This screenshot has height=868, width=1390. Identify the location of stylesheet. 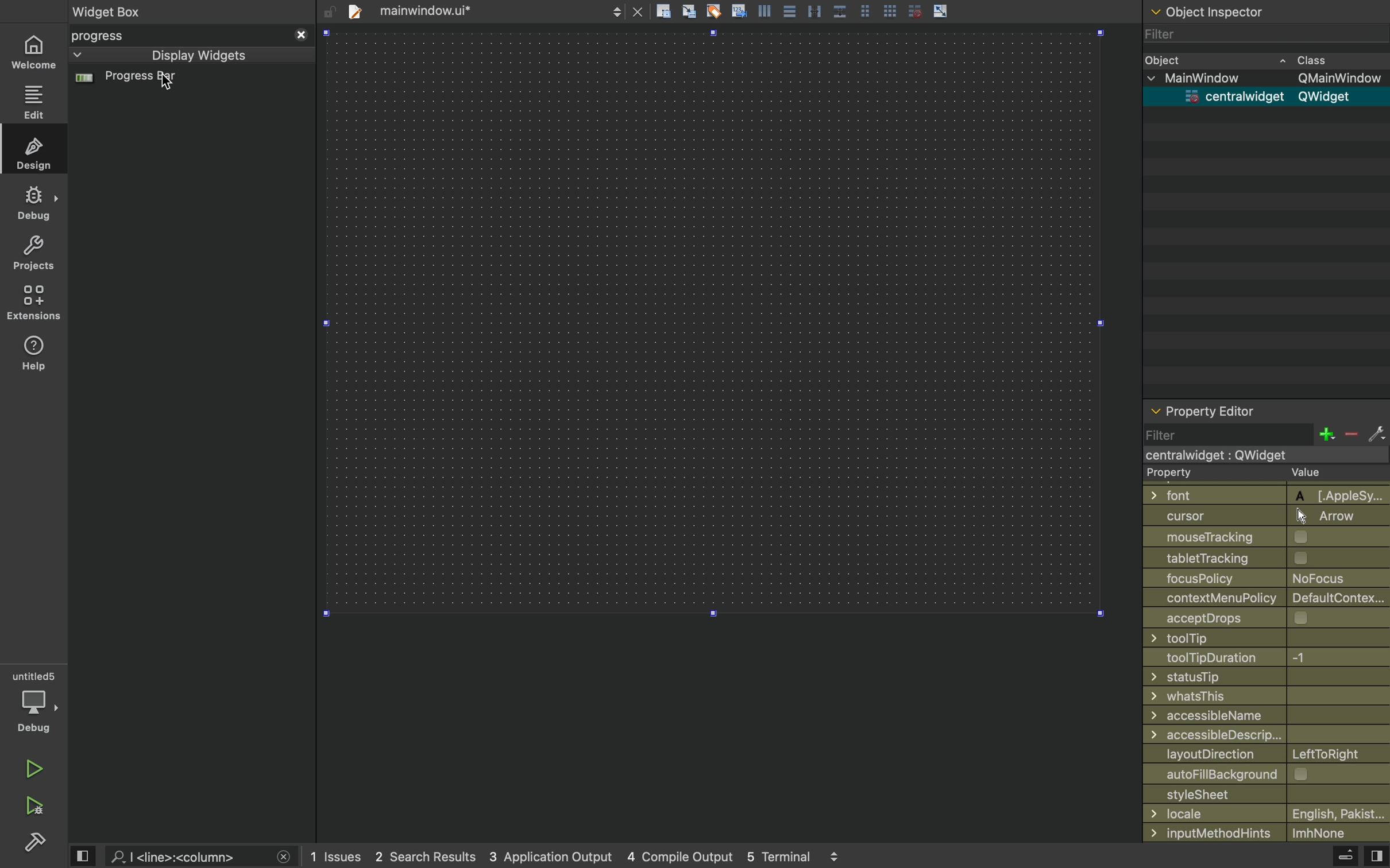
(1267, 793).